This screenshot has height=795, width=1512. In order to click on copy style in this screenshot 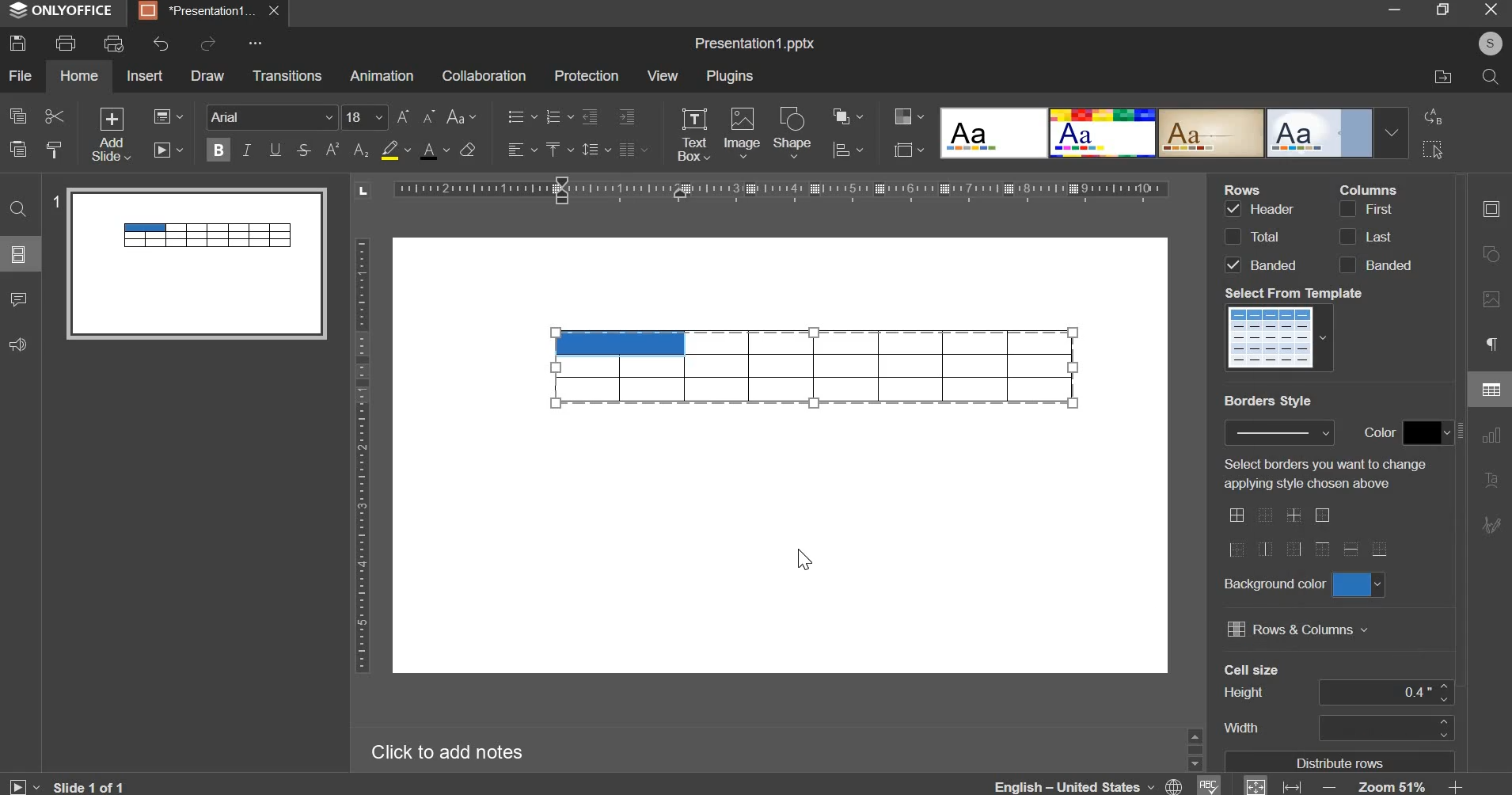, I will do `click(56, 150)`.